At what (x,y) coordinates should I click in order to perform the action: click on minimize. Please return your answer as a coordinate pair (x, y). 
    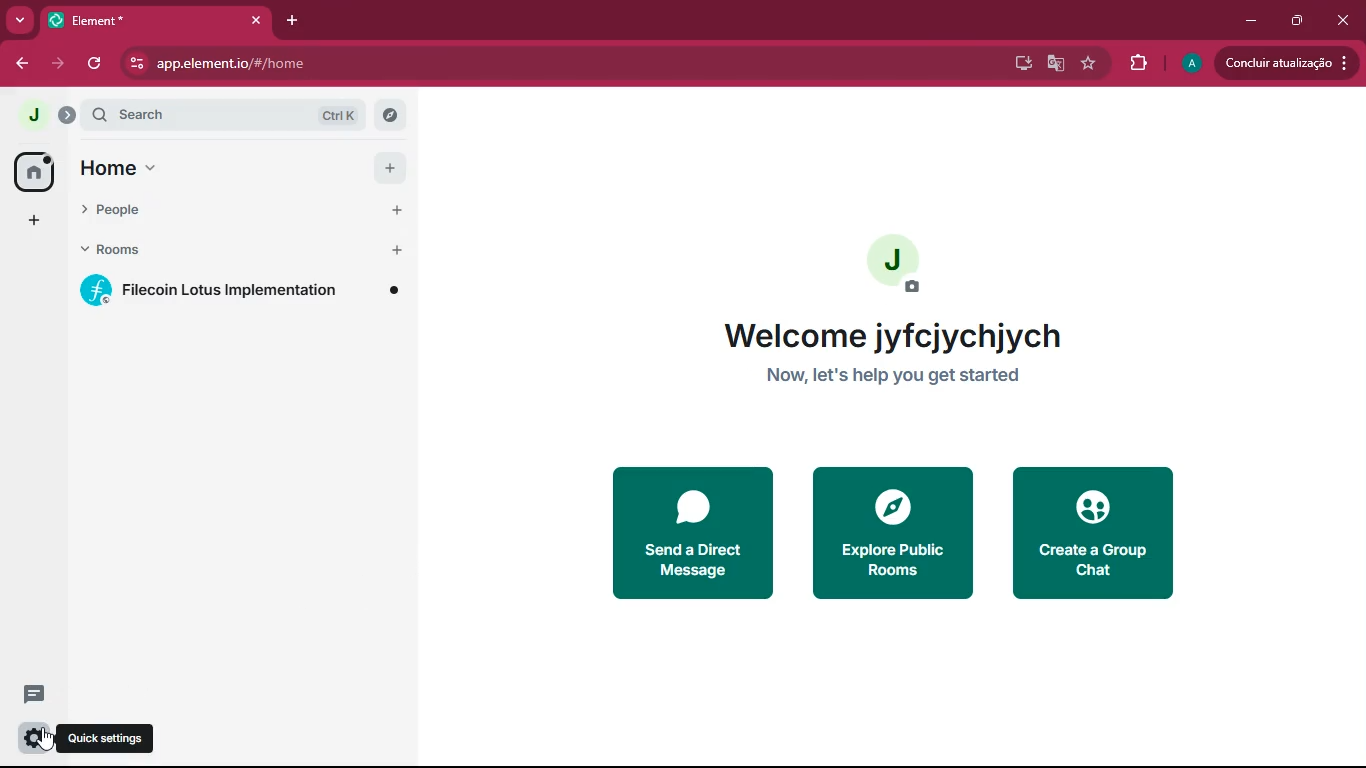
    Looking at the image, I should click on (1252, 18).